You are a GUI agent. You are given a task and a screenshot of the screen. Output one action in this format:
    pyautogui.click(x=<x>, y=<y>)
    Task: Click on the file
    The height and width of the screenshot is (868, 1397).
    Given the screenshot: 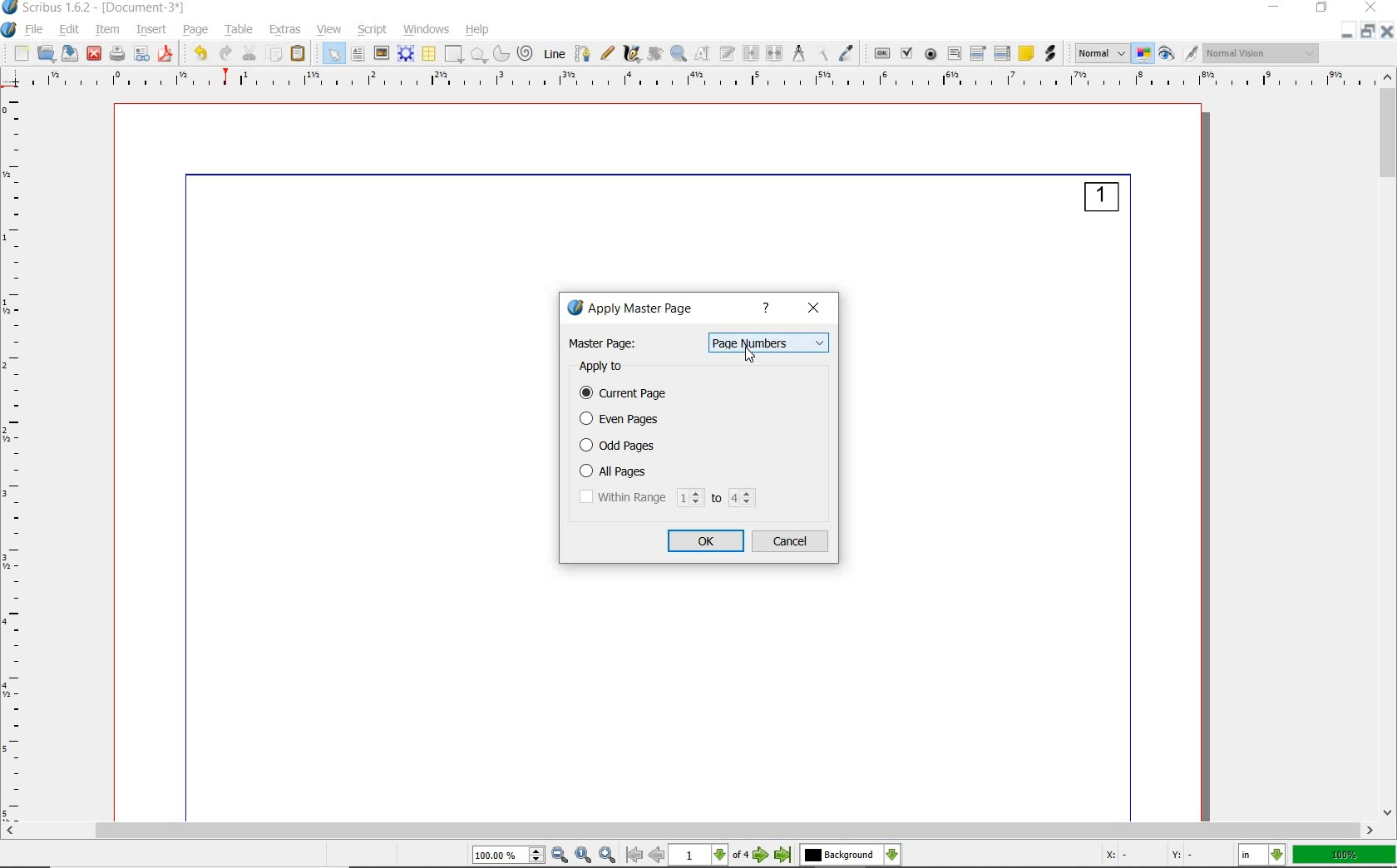 What is the action you would take?
    pyautogui.click(x=36, y=30)
    